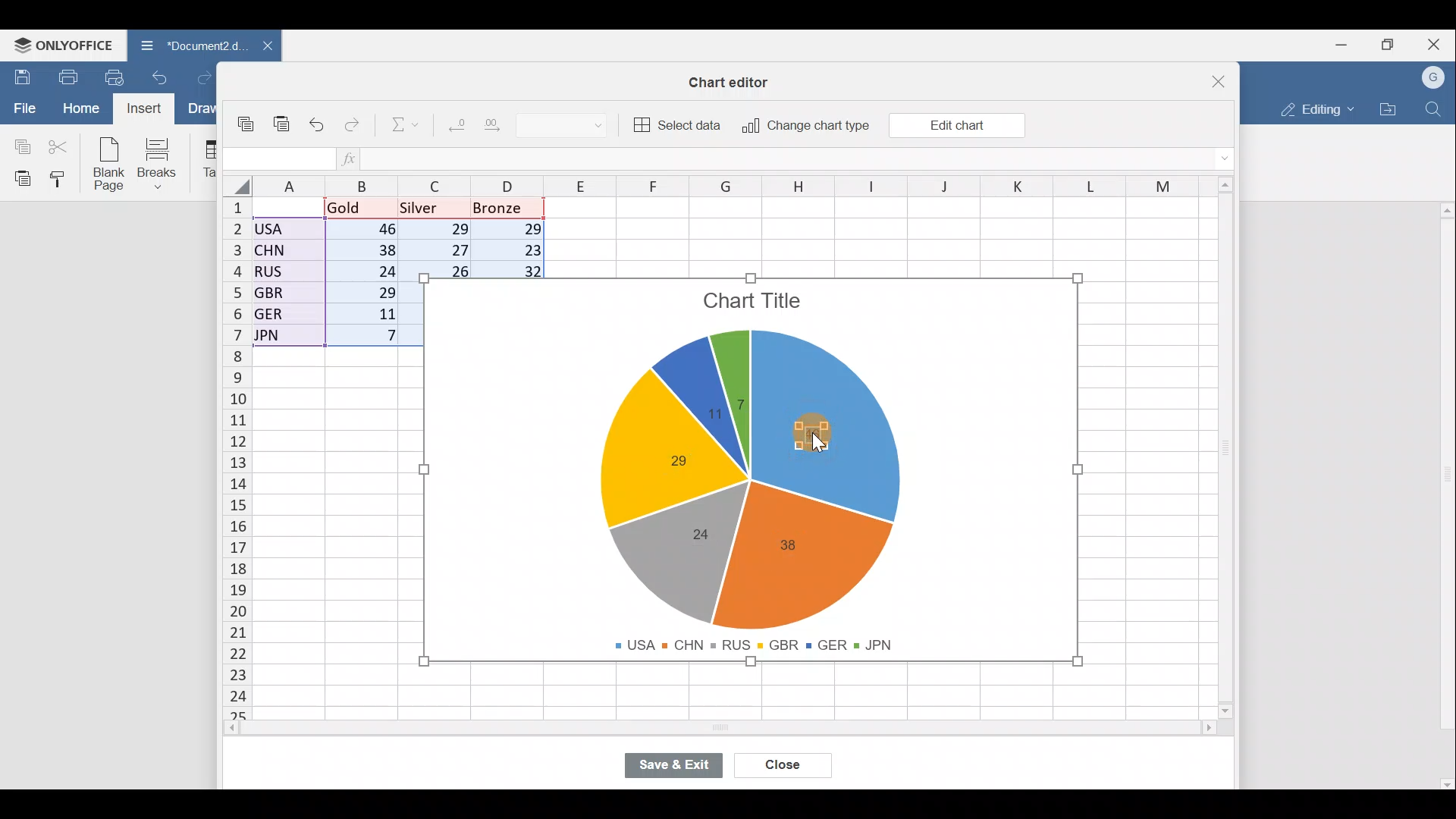 This screenshot has height=819, width=1456. Describe the element at coordinates (786, 767) in the screenshot. I see `Close` at that location.